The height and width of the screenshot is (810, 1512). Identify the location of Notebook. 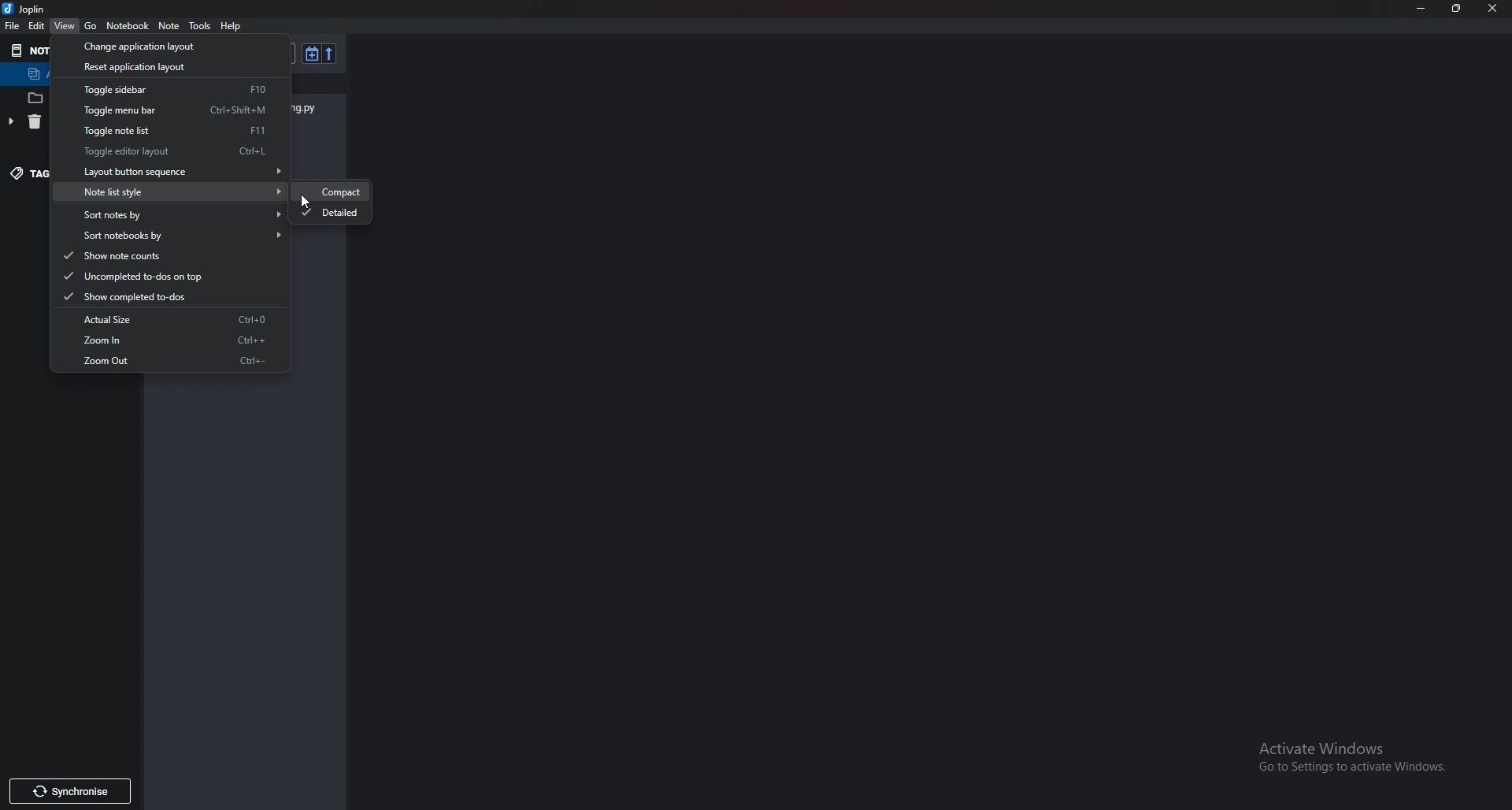
(128, 26).